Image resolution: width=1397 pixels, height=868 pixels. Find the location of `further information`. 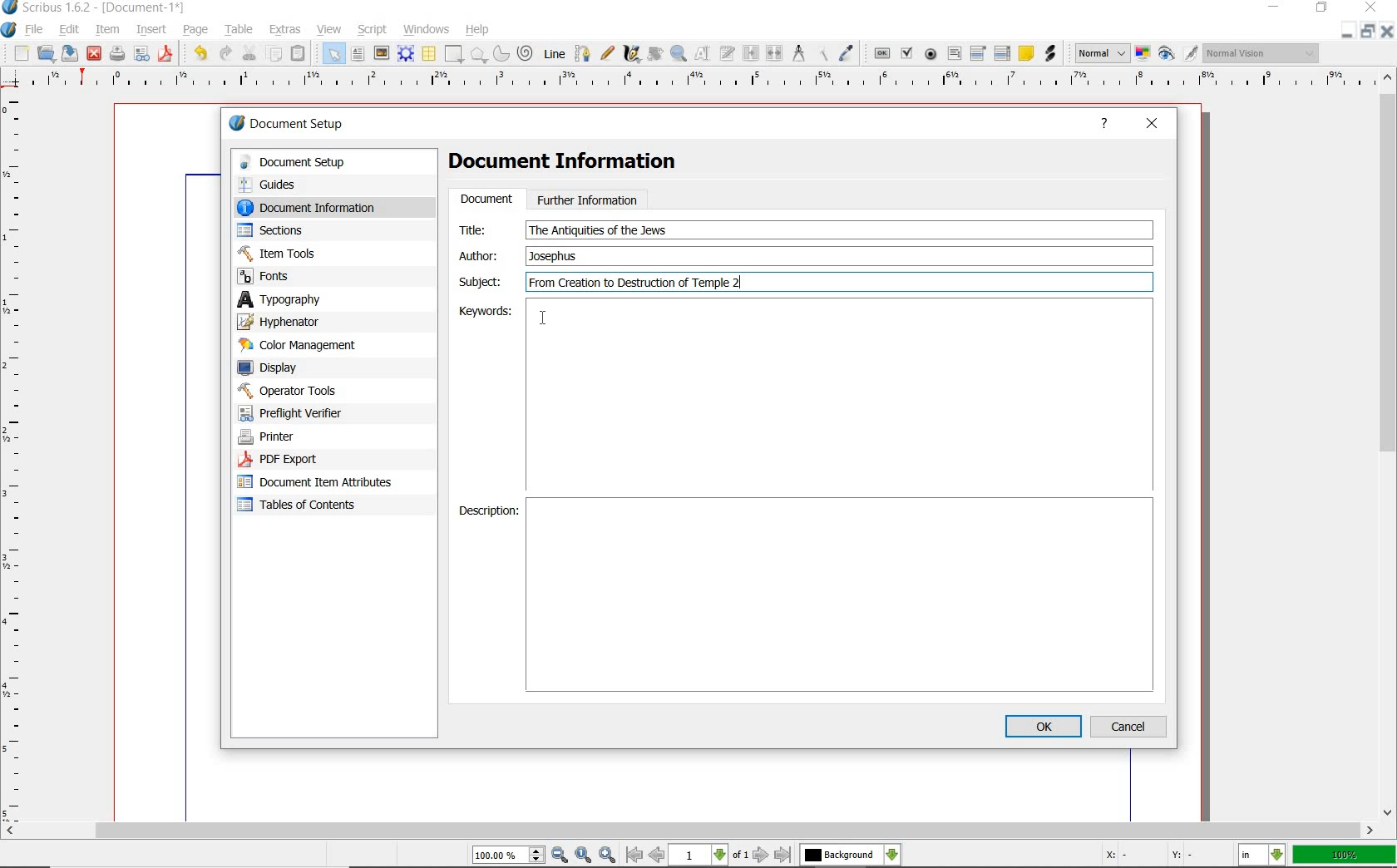

further information is located at coordinates (588, 199).